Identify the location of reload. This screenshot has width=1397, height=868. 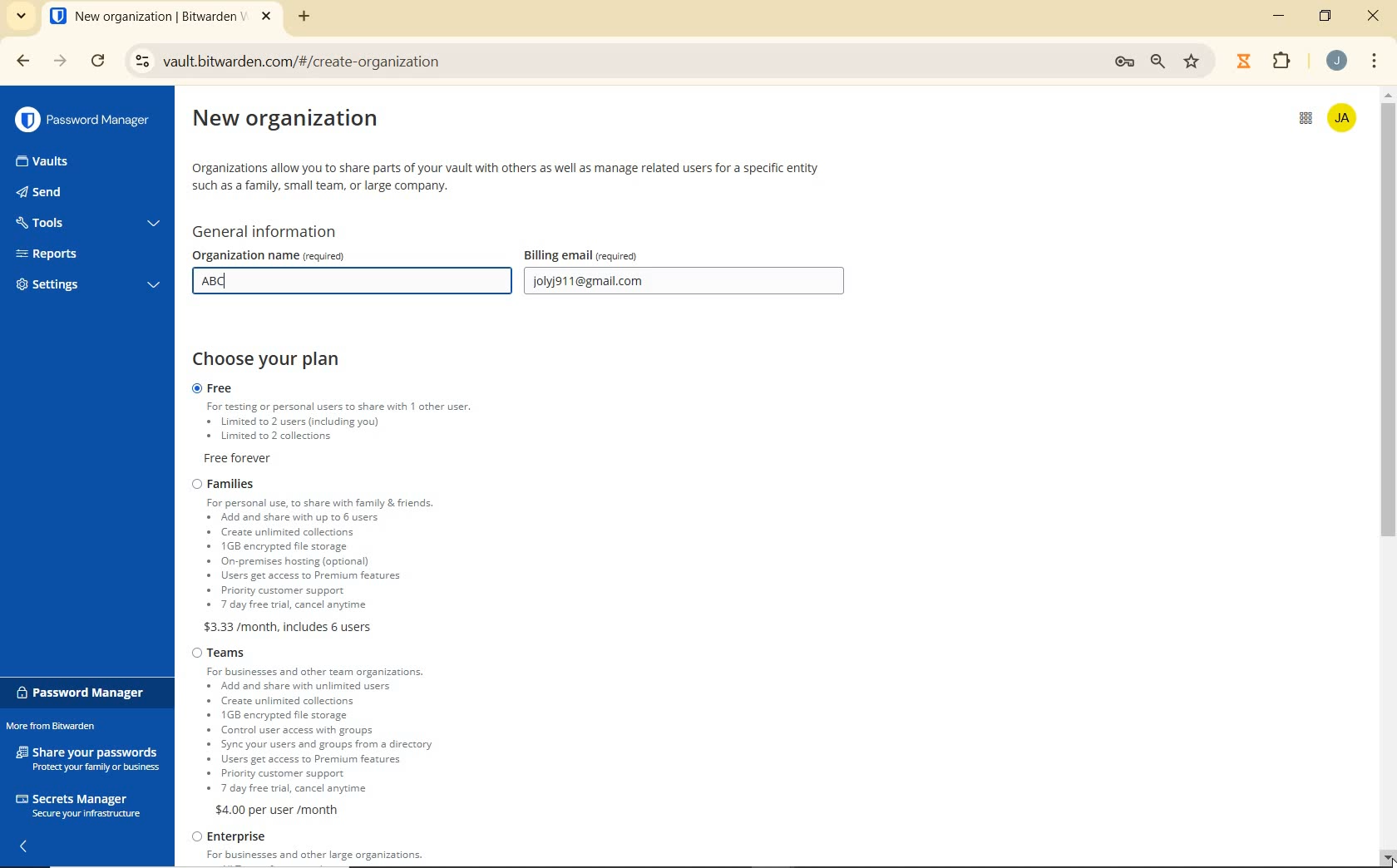
(100, 62).